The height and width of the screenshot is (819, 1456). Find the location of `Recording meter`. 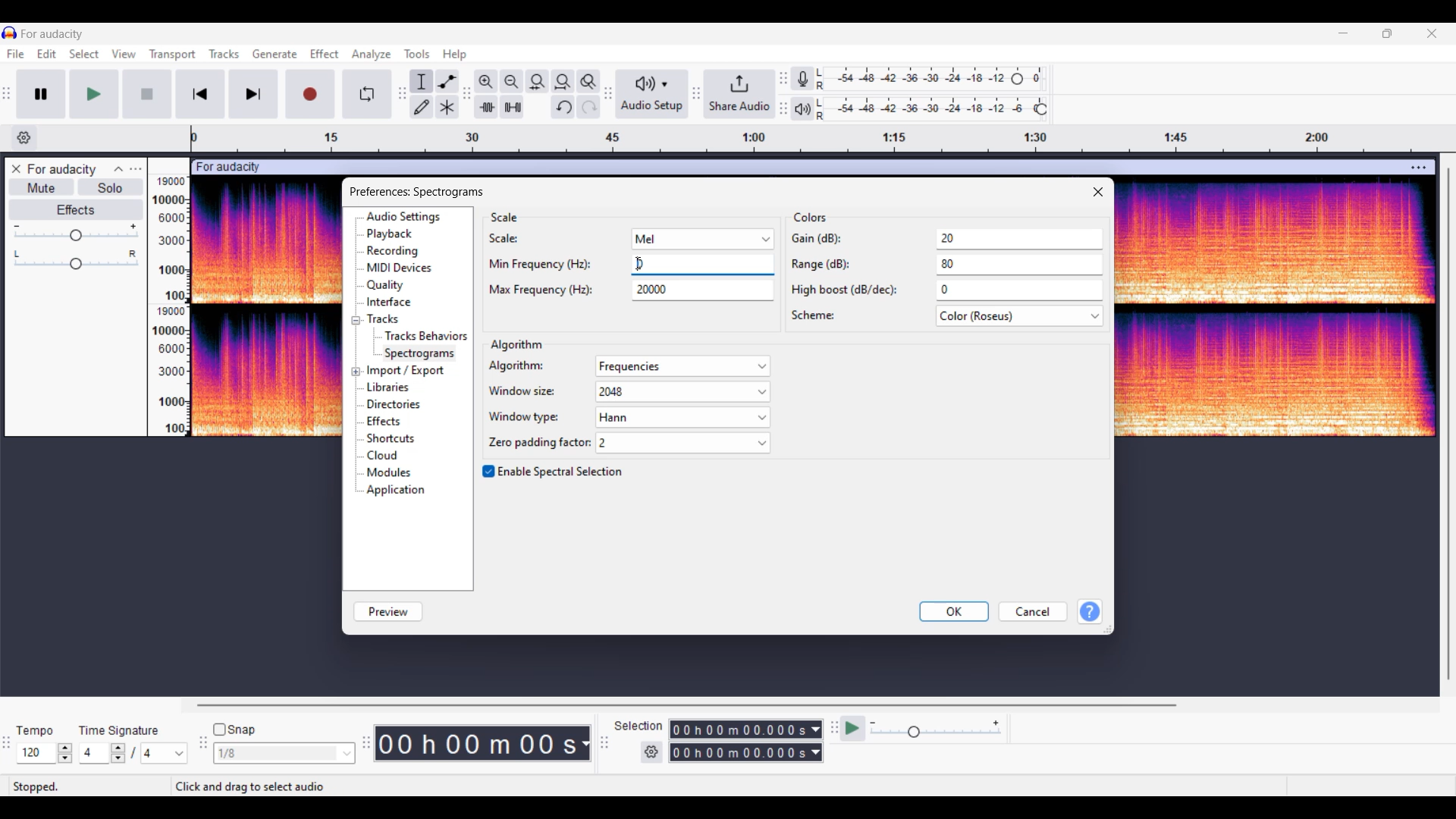

Recording meter is located at coordinates (802, 78).